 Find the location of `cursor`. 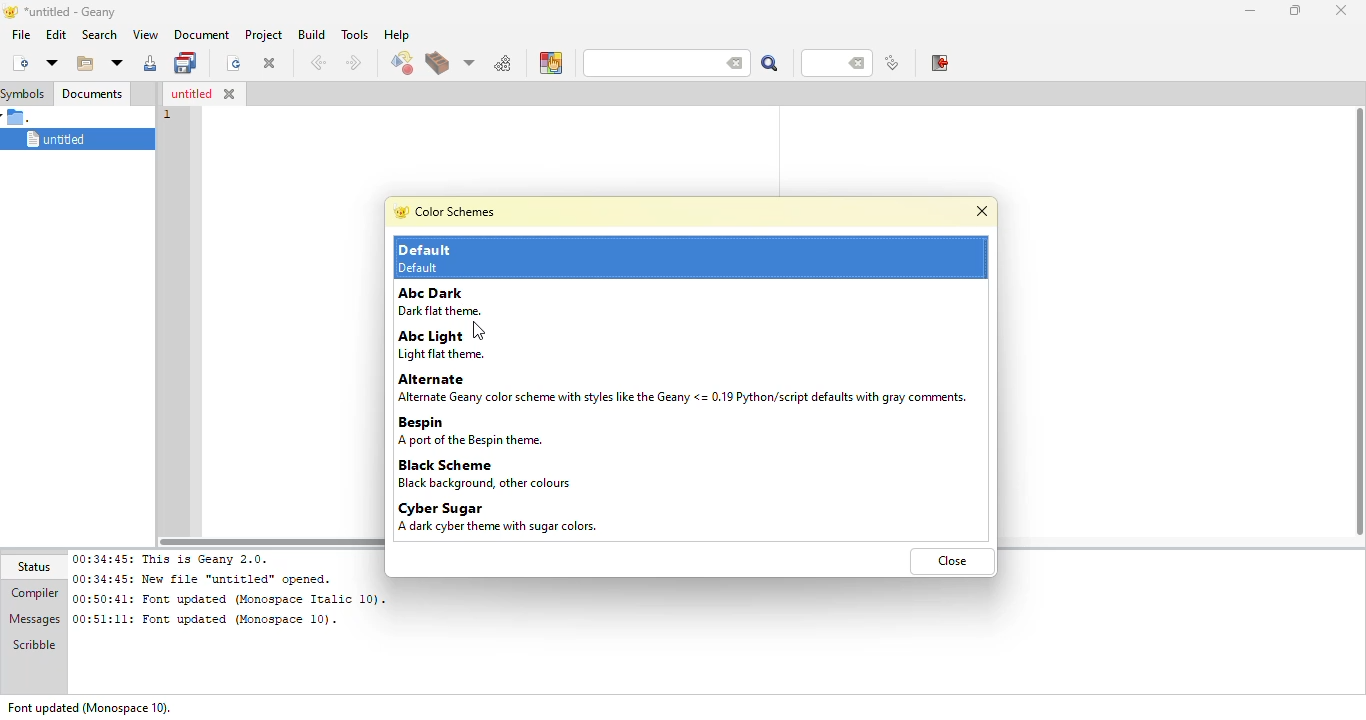

cursor is located at coordinates (483, 330).